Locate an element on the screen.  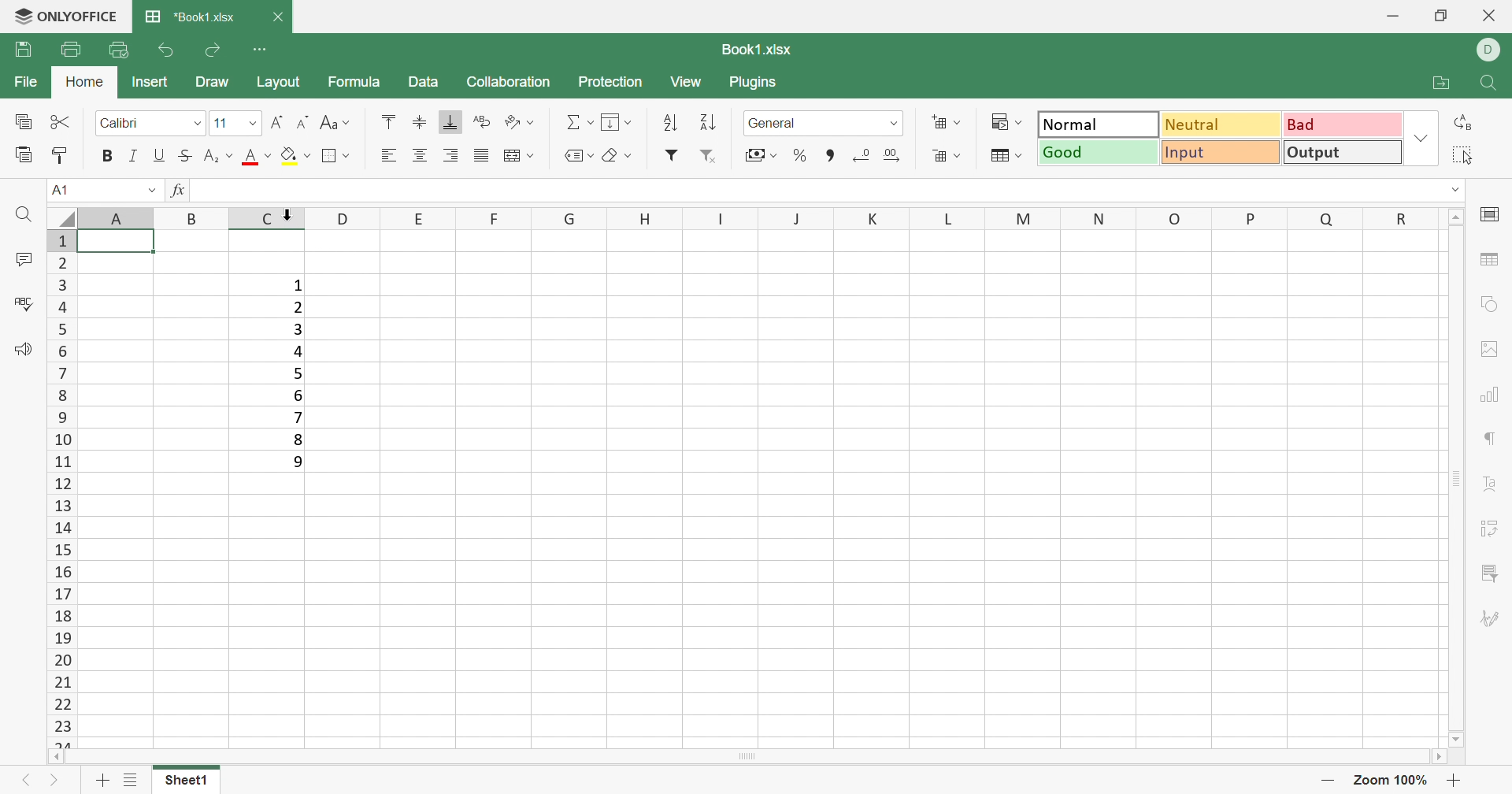
Strikethrough is located at coordinates (183, 155).